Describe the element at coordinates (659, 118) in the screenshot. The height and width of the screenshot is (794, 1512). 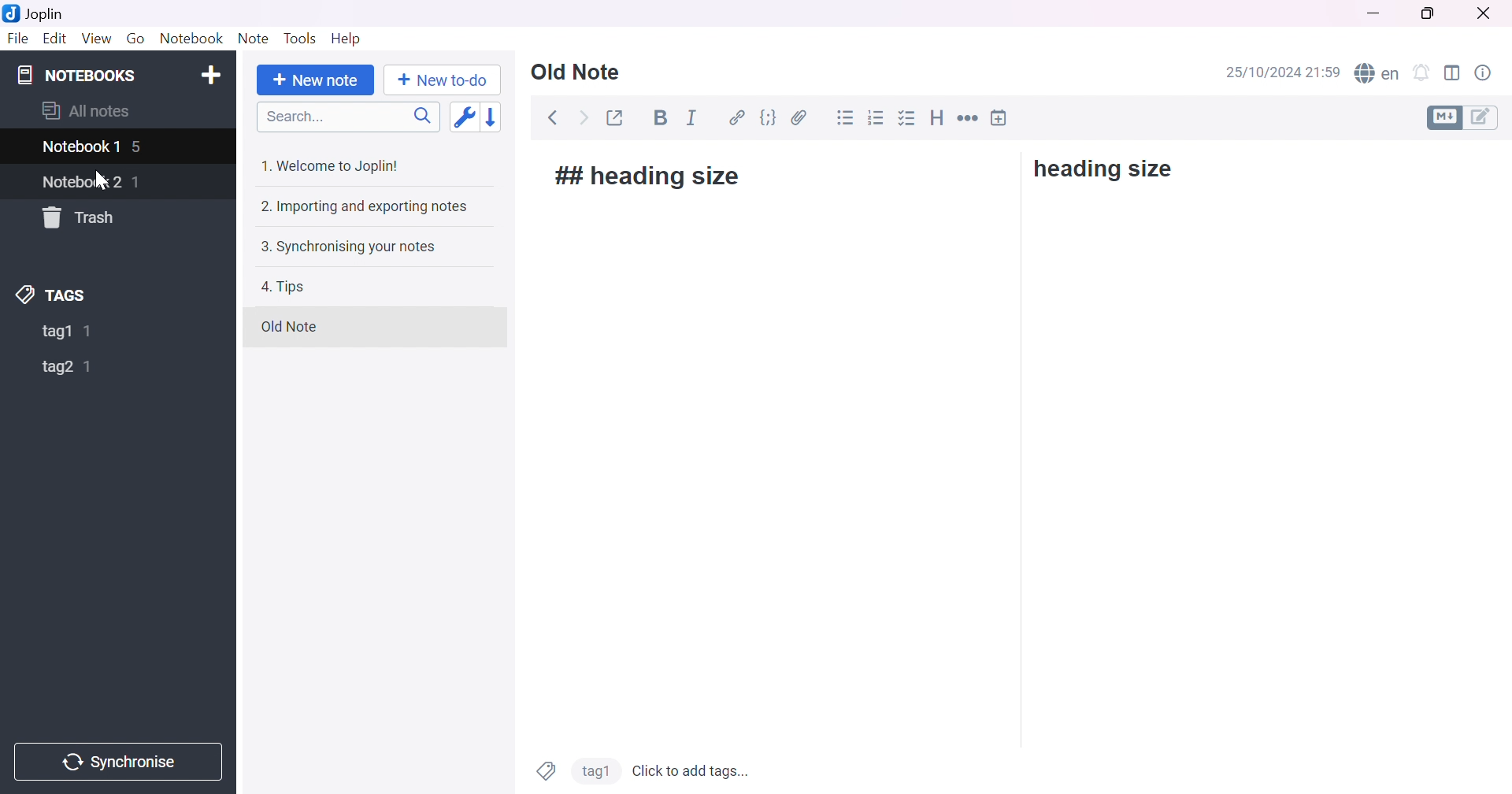
I see `Bold` at that location.